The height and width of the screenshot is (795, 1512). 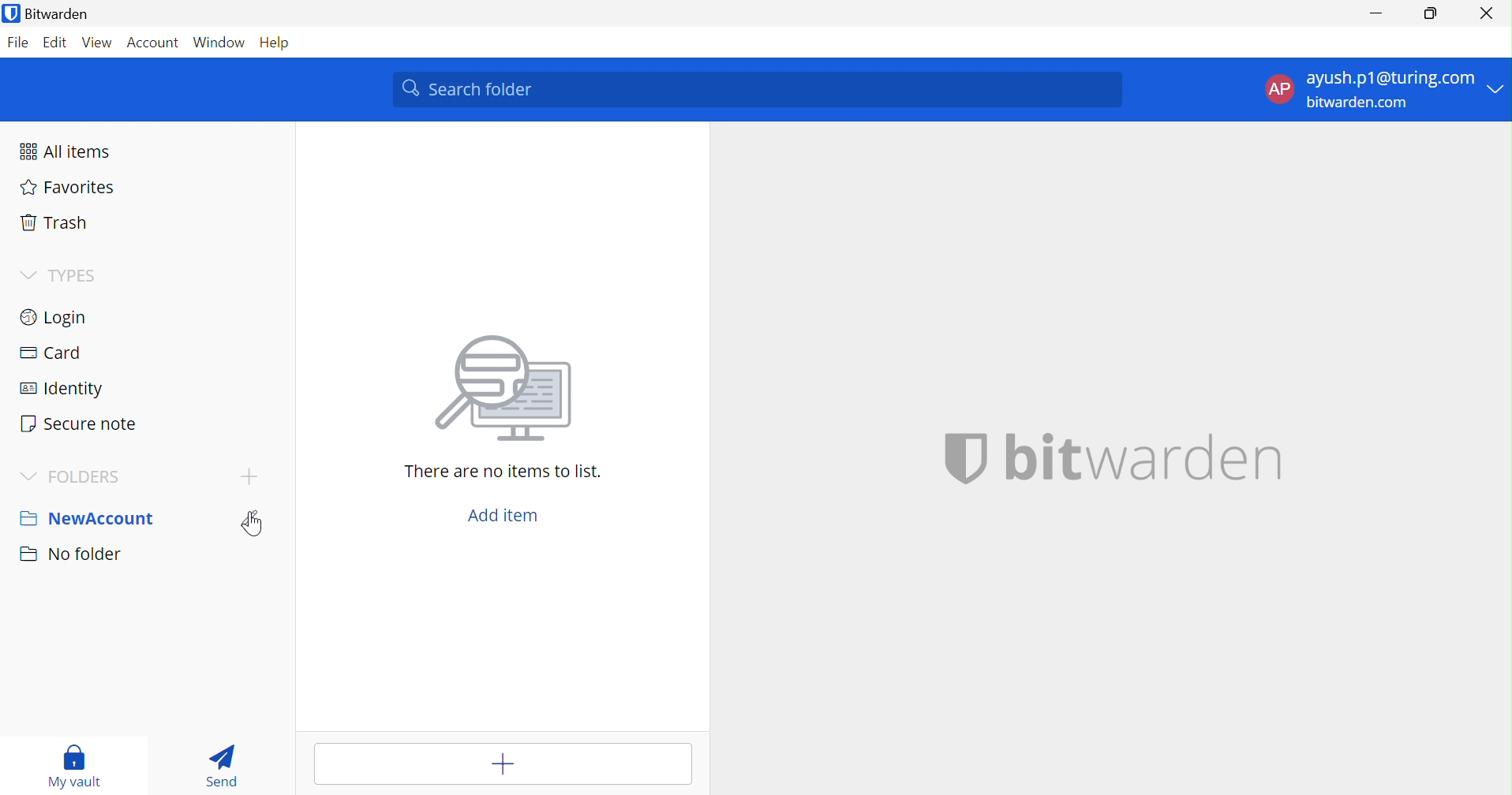 I want to click on New Account, so click(x=99, y=517).